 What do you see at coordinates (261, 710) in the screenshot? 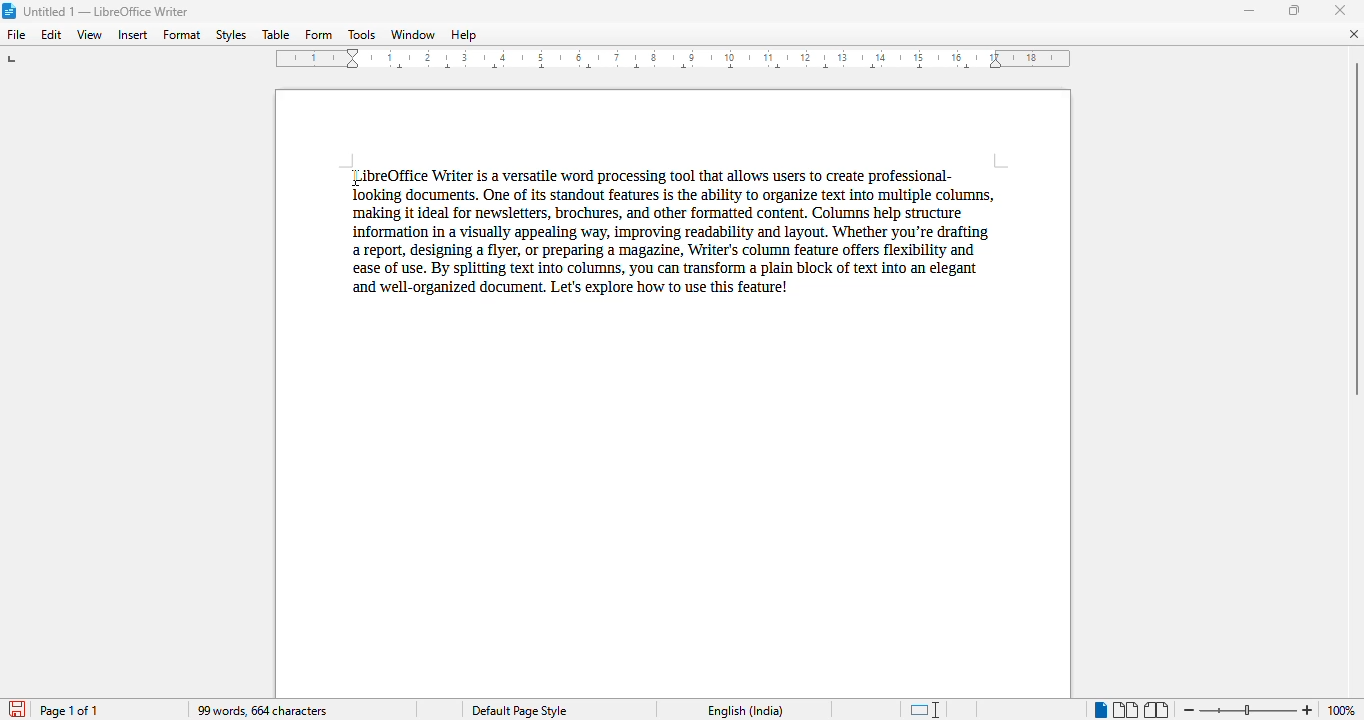
I see `99 words, 664 characters` at bounding box center [261, 710].